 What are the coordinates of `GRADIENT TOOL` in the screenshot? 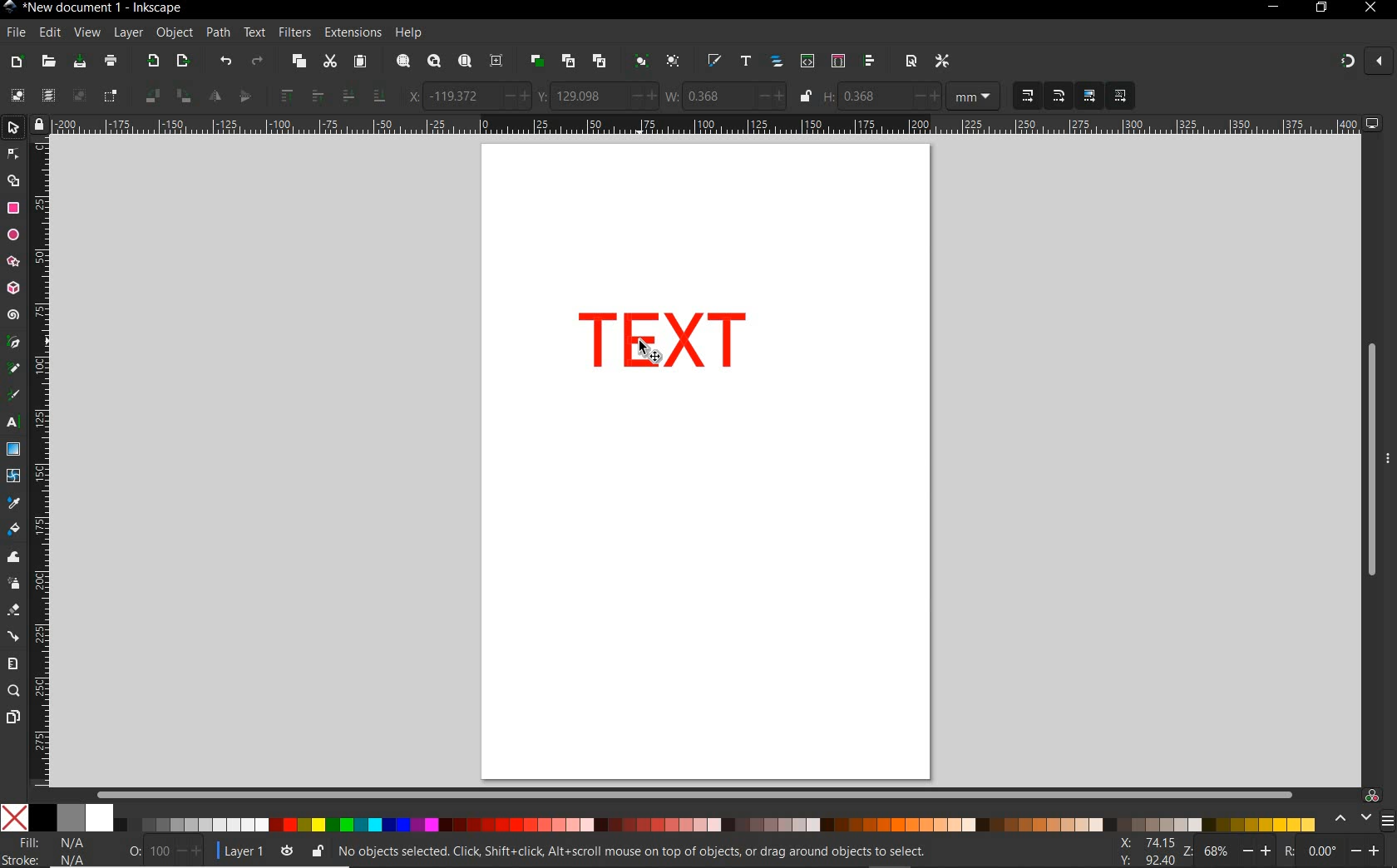 It's located at (13, 449).